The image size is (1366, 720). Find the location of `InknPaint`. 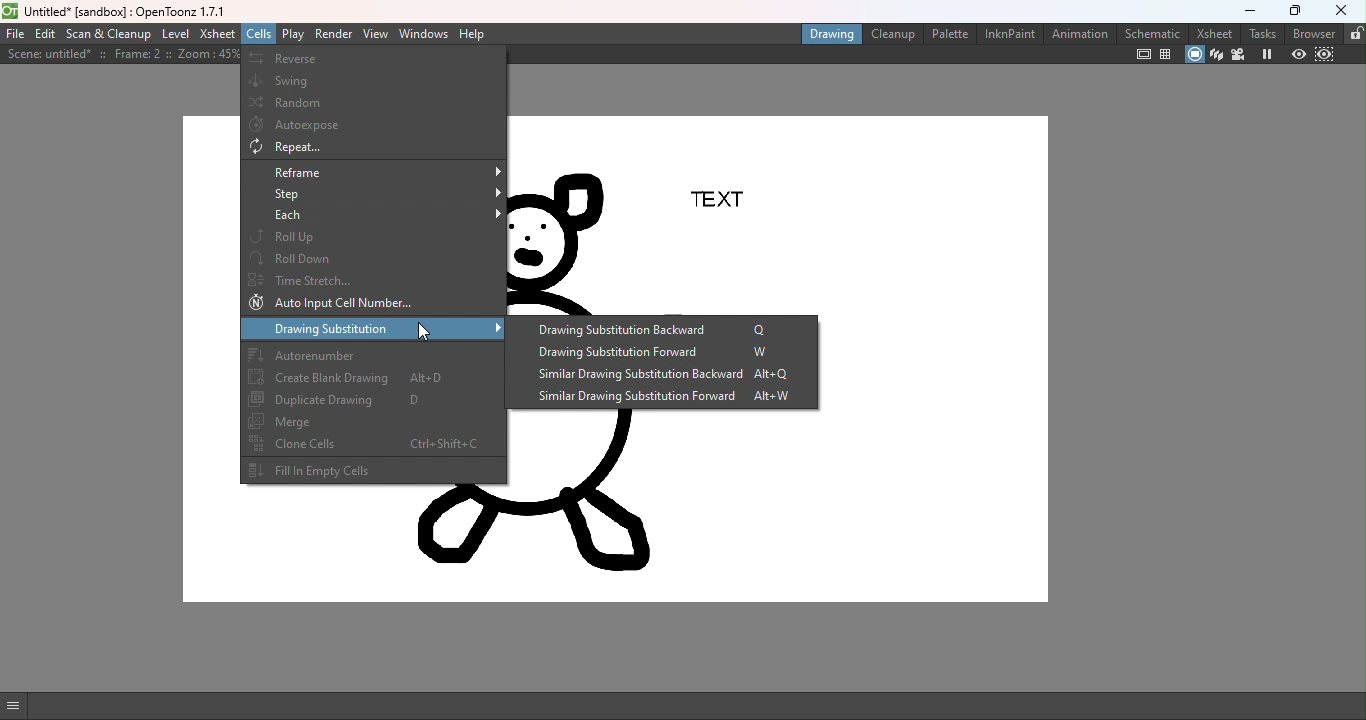

InknPaint is located at coordinates (1007, 35).